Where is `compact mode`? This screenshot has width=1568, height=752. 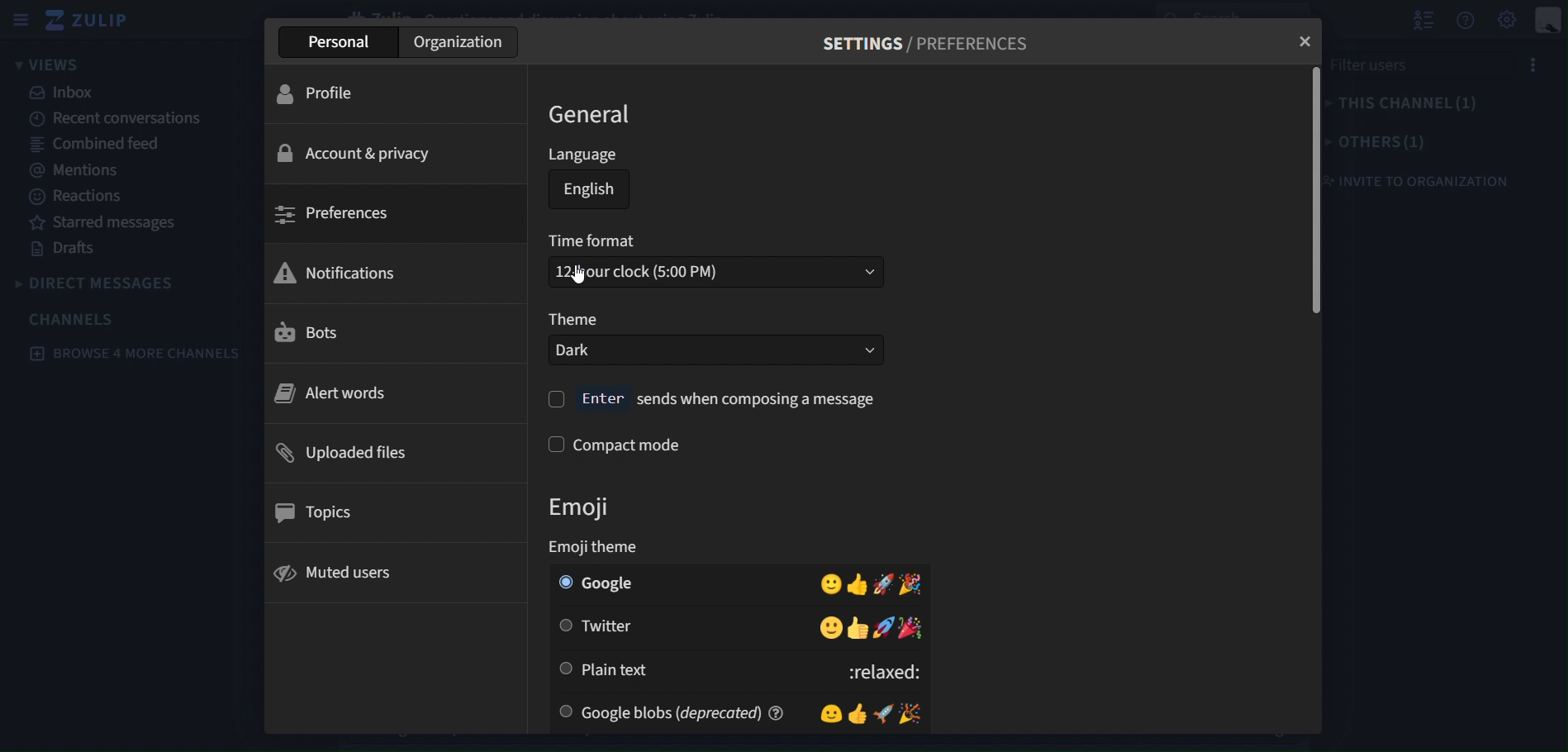
compact mode is located at coordinates (628, 442).